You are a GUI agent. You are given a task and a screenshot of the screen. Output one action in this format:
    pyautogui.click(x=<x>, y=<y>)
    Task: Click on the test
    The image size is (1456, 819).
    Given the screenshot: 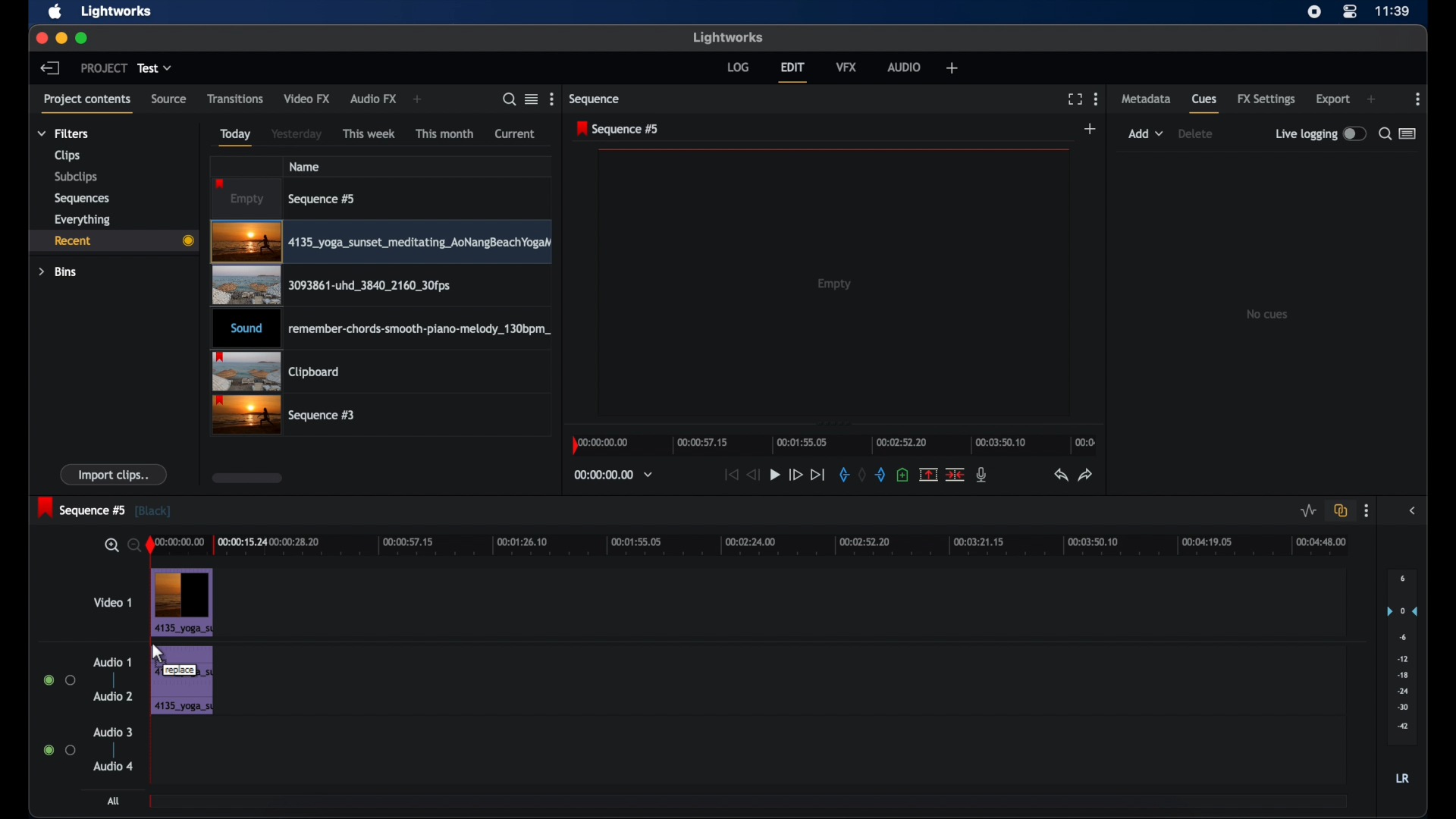 What is the action you would take?
    pyautogui.click(x=155, y=67)
    